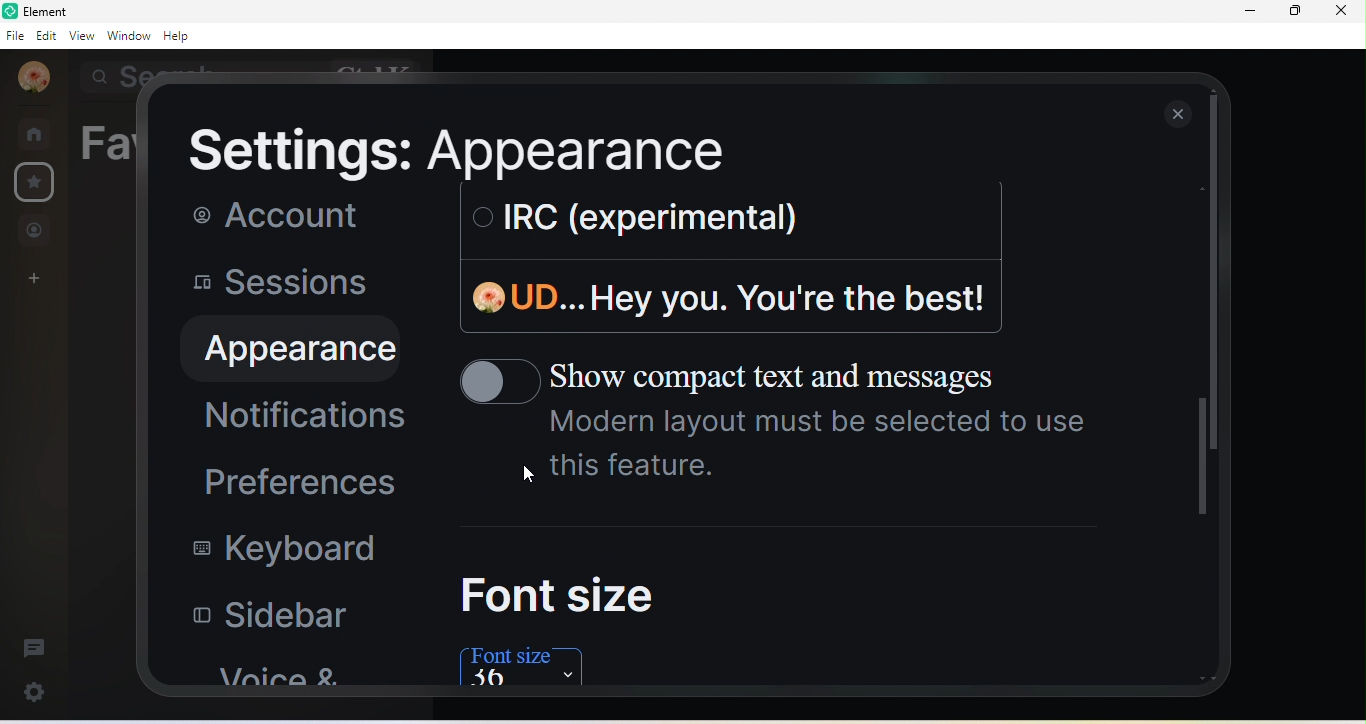 This screenshot has width=1366, height=724. What do you see at coordinates (723, 296) in the screenshot?
I see `UD... hey you. you are the best` at bounding box center [723, 296].